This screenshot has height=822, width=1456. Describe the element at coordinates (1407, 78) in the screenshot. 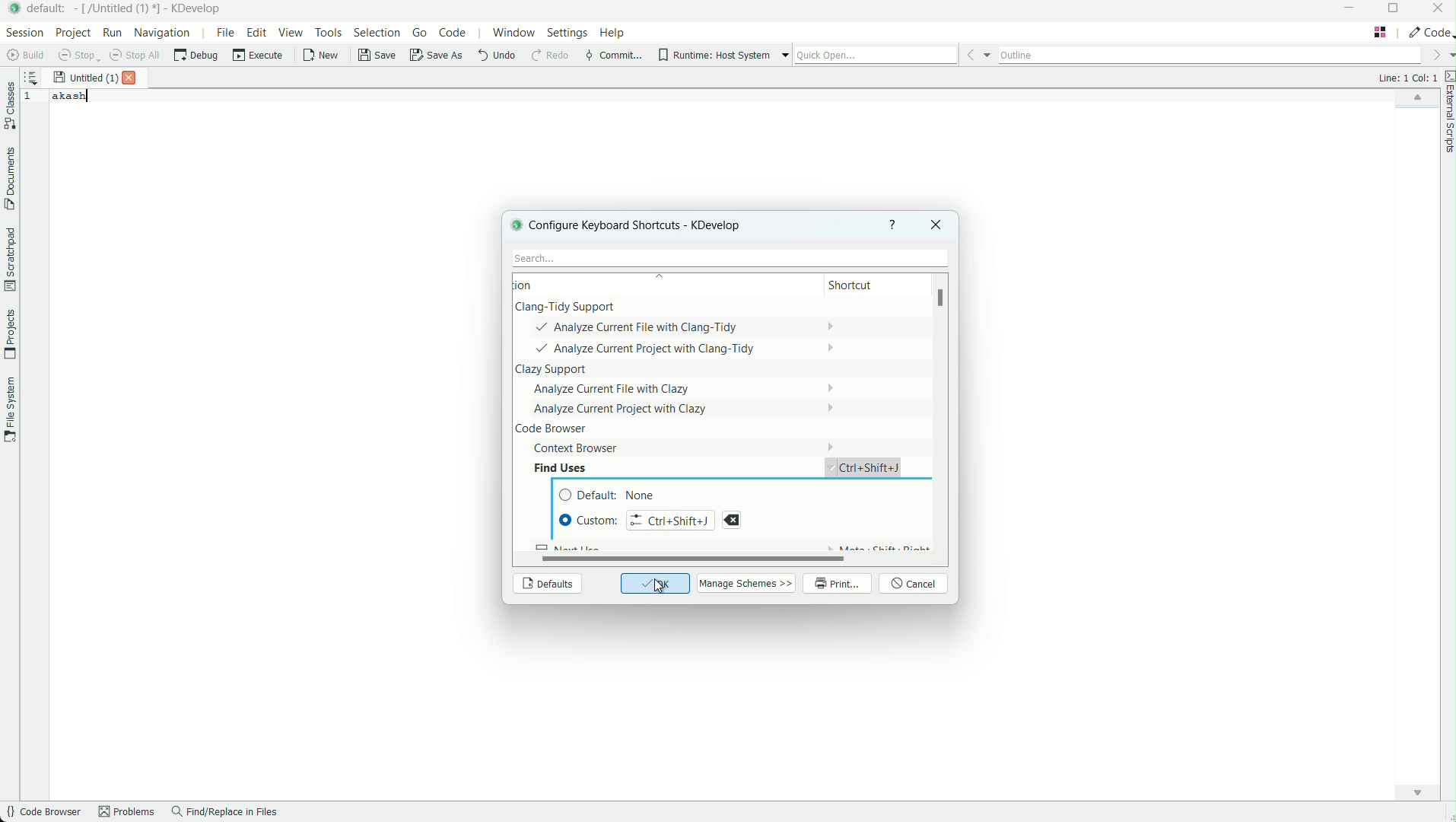

I see `cursor positions` at that location.